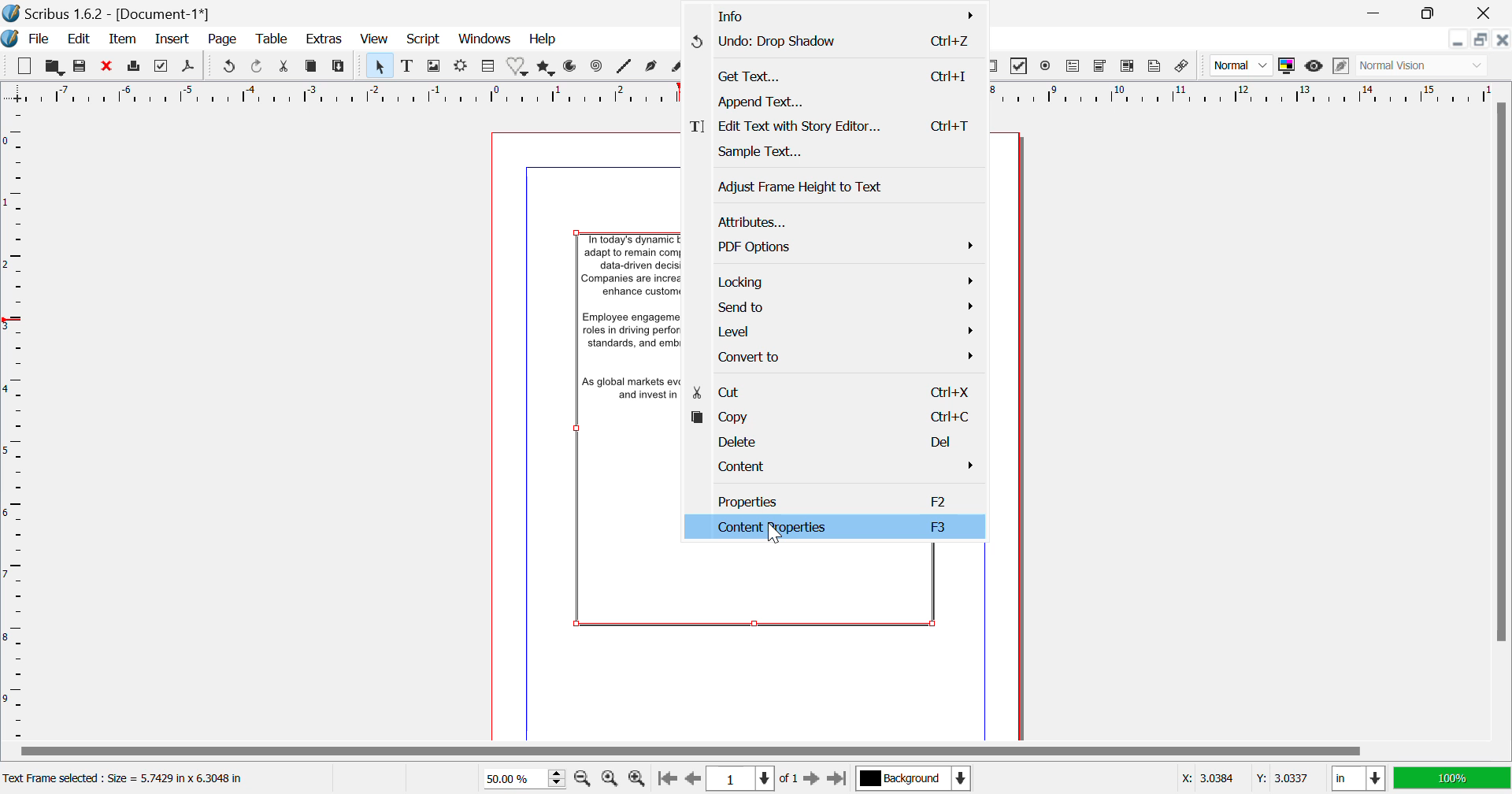 Image resolution: width=1512 pixels, height=794 pixels. I want to click on Text Annotation, so click(1154, 68).